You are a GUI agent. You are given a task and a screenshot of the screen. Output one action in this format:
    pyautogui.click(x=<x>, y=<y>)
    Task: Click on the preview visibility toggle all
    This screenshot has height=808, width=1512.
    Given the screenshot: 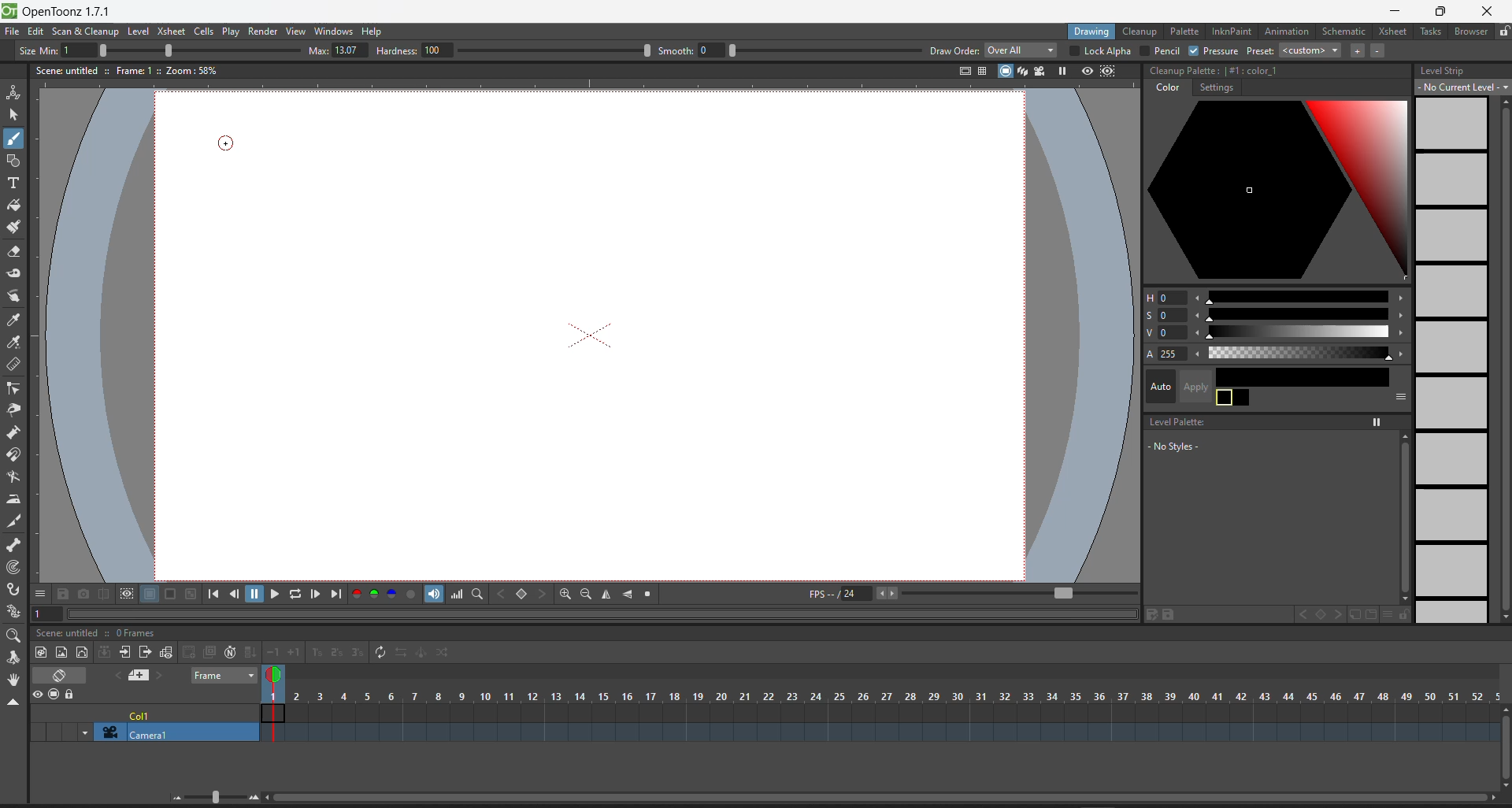 What is the action you would take?
    pyautogui.click(x=35, y=692)
    